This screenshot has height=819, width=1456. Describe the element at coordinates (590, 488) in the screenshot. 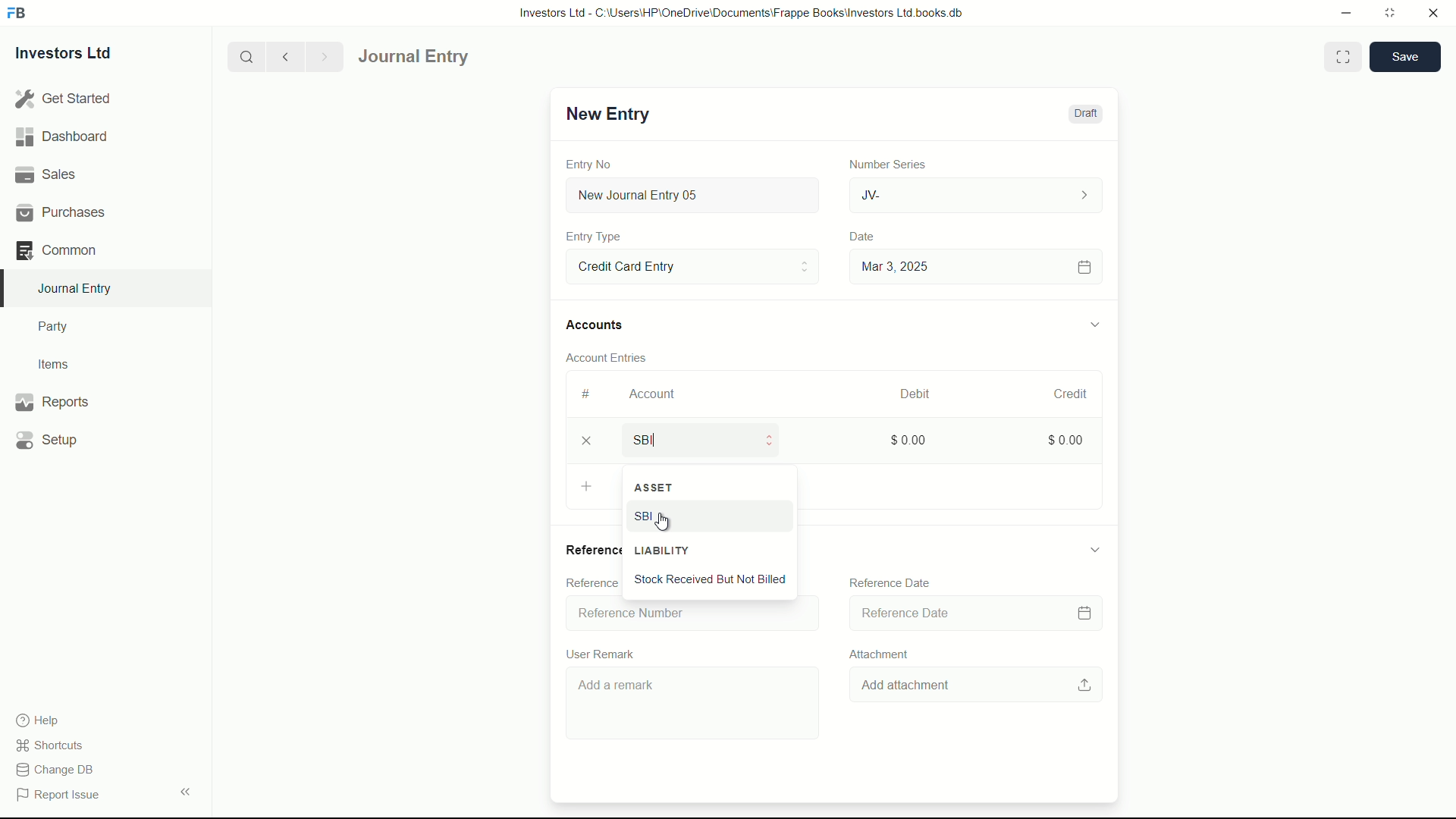

I see `Aad Row` at that location.